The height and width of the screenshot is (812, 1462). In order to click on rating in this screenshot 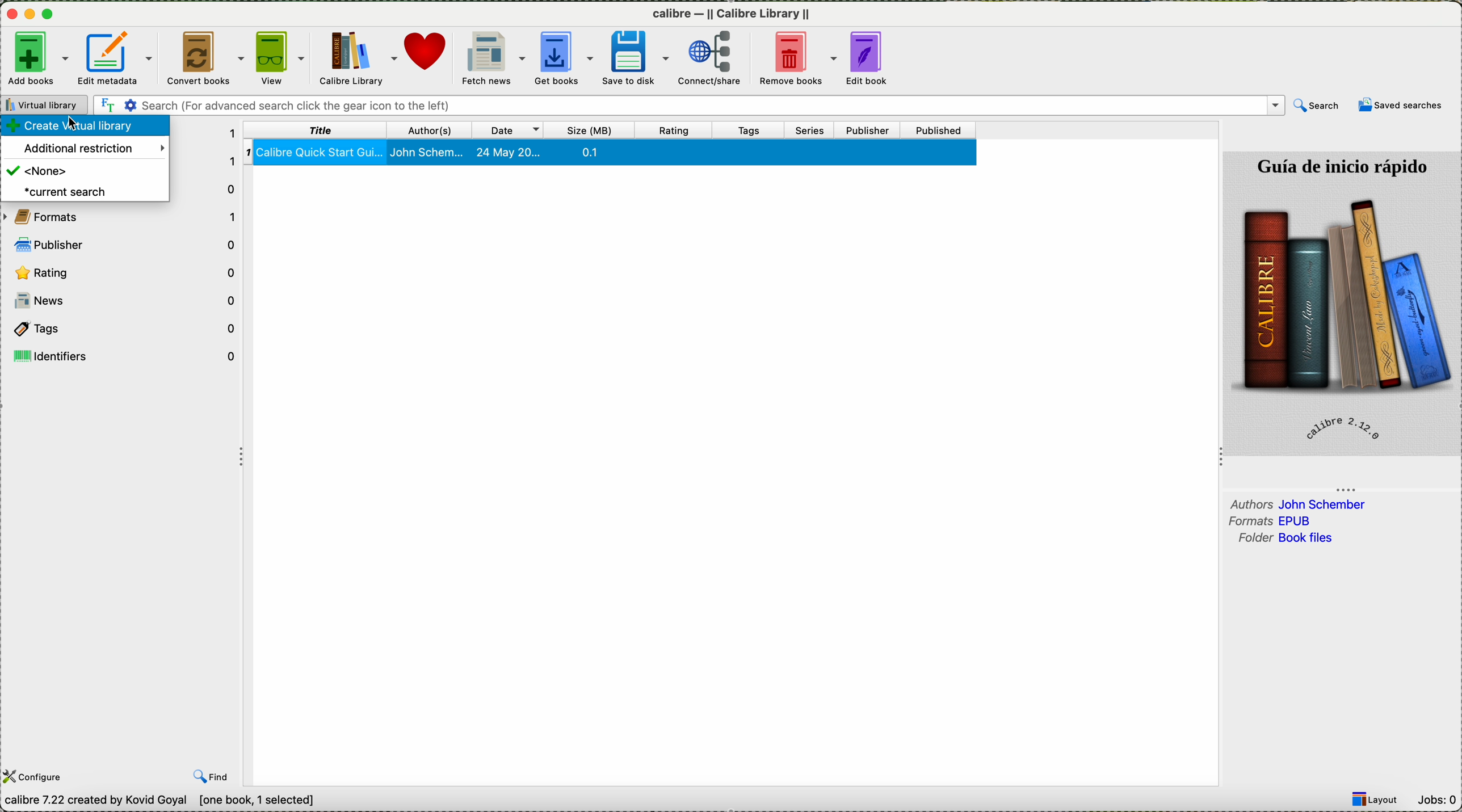, I will do `click(679, 130)`.